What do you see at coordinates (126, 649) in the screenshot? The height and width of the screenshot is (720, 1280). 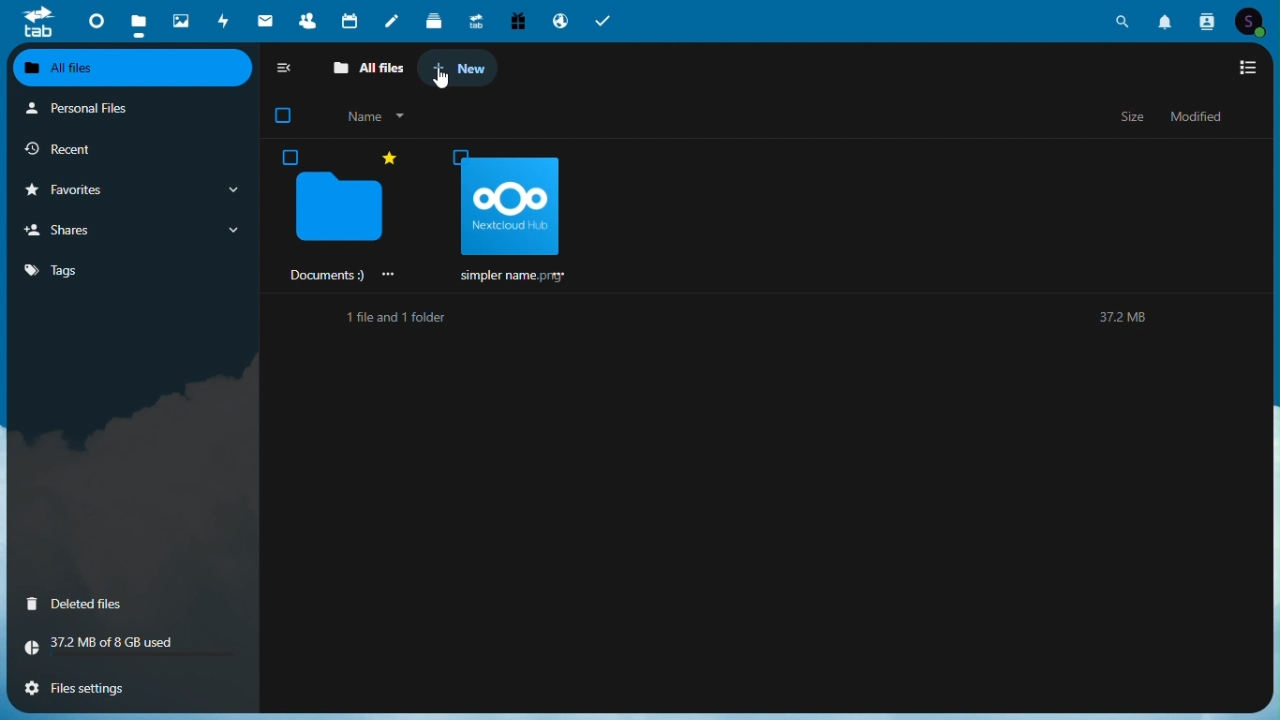 I see `Storage` at bounding box center [126, 649].